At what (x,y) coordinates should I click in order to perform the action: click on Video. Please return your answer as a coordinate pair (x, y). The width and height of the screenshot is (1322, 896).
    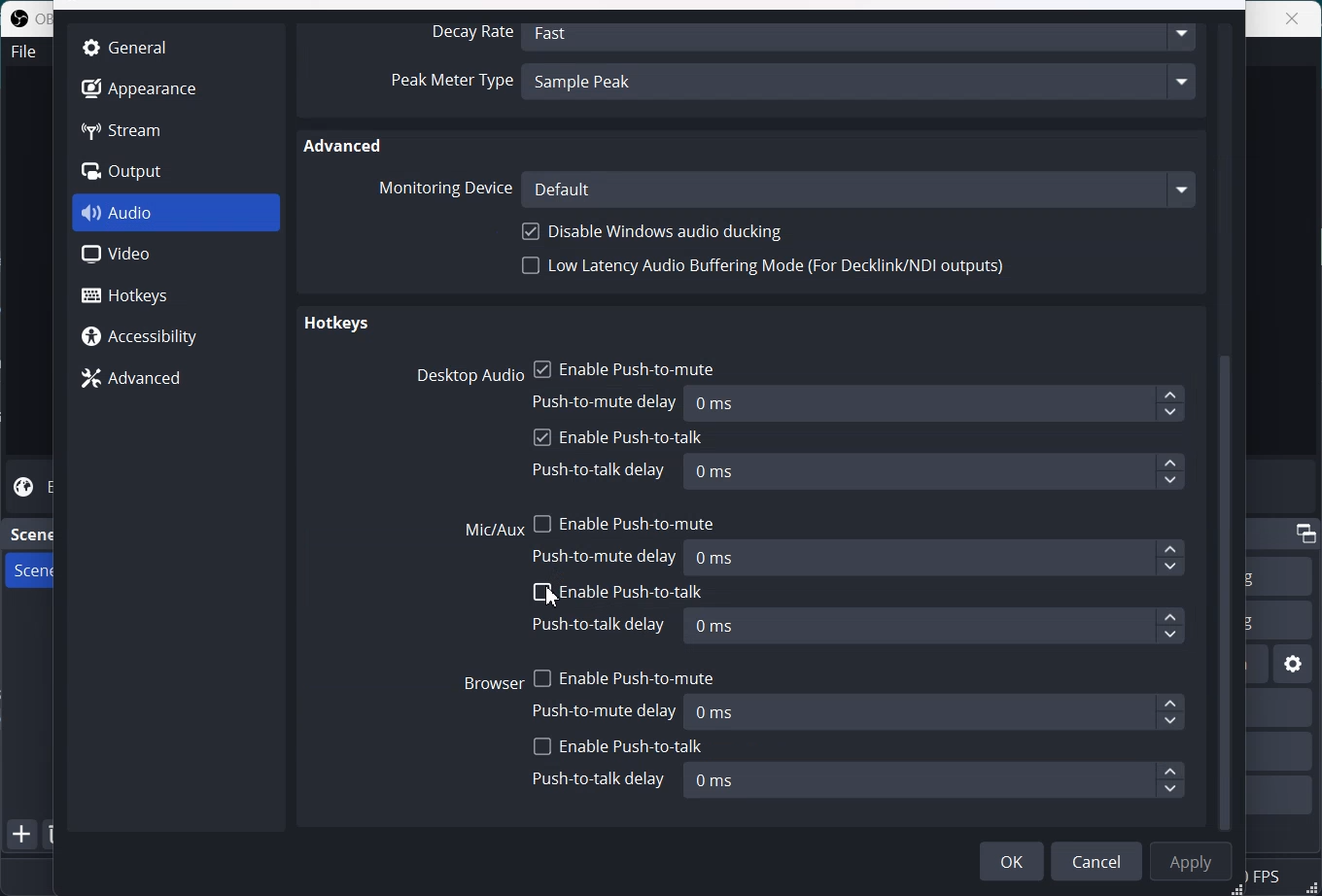
    Looking at the image, I should click on (176, 255).